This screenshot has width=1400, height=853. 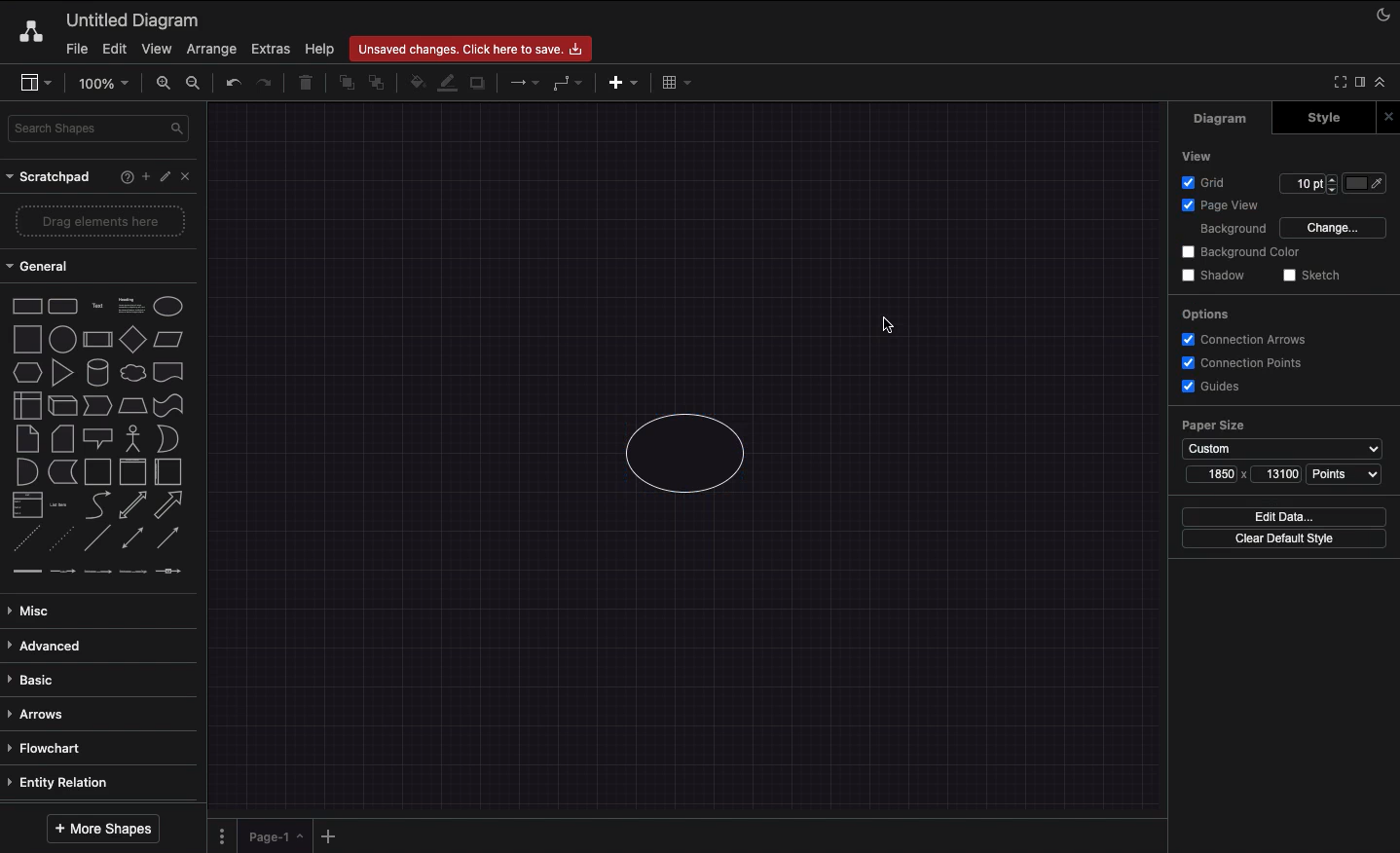 I want to click on Background , so click(x=1221, y=230).